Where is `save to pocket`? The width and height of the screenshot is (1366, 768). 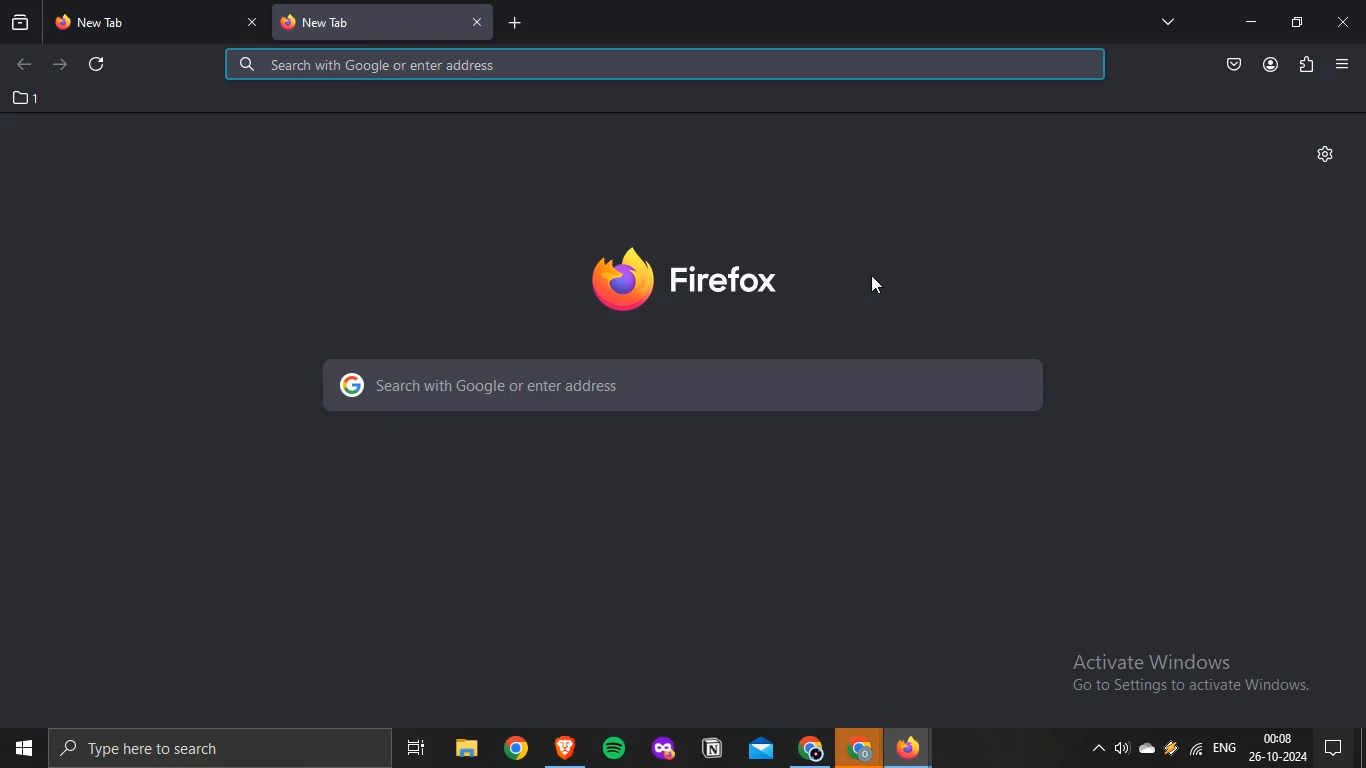
save to pocket is located at coordinates (1235, 66).